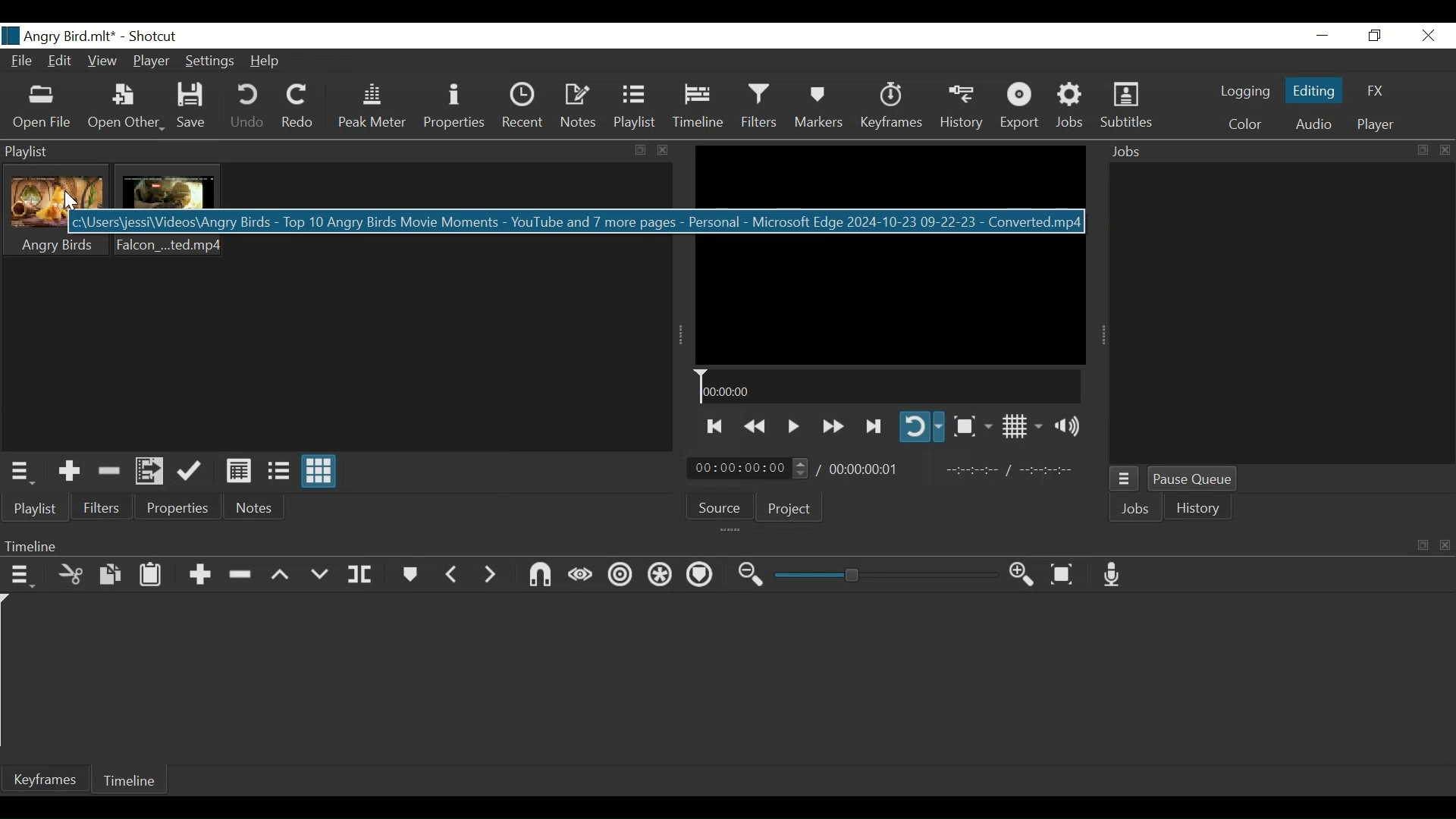 This screenshot has width=1456, height=819. Describe the element at coordinates (71, 202) in the screenshot. I see `Cursor` at that location.